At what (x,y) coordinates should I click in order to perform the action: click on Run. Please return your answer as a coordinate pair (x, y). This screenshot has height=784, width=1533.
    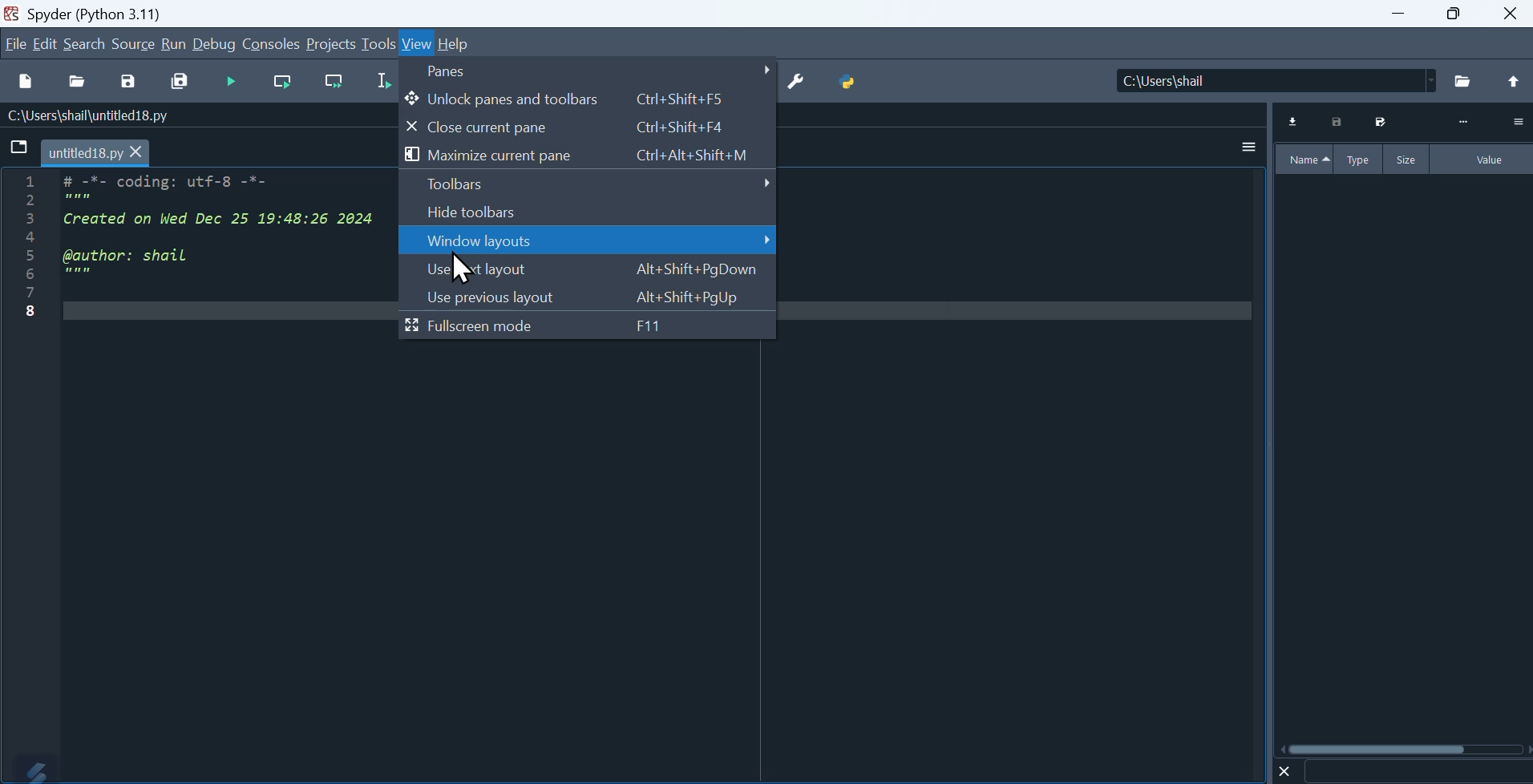
    Looking at the image, I should click on (173, 43).